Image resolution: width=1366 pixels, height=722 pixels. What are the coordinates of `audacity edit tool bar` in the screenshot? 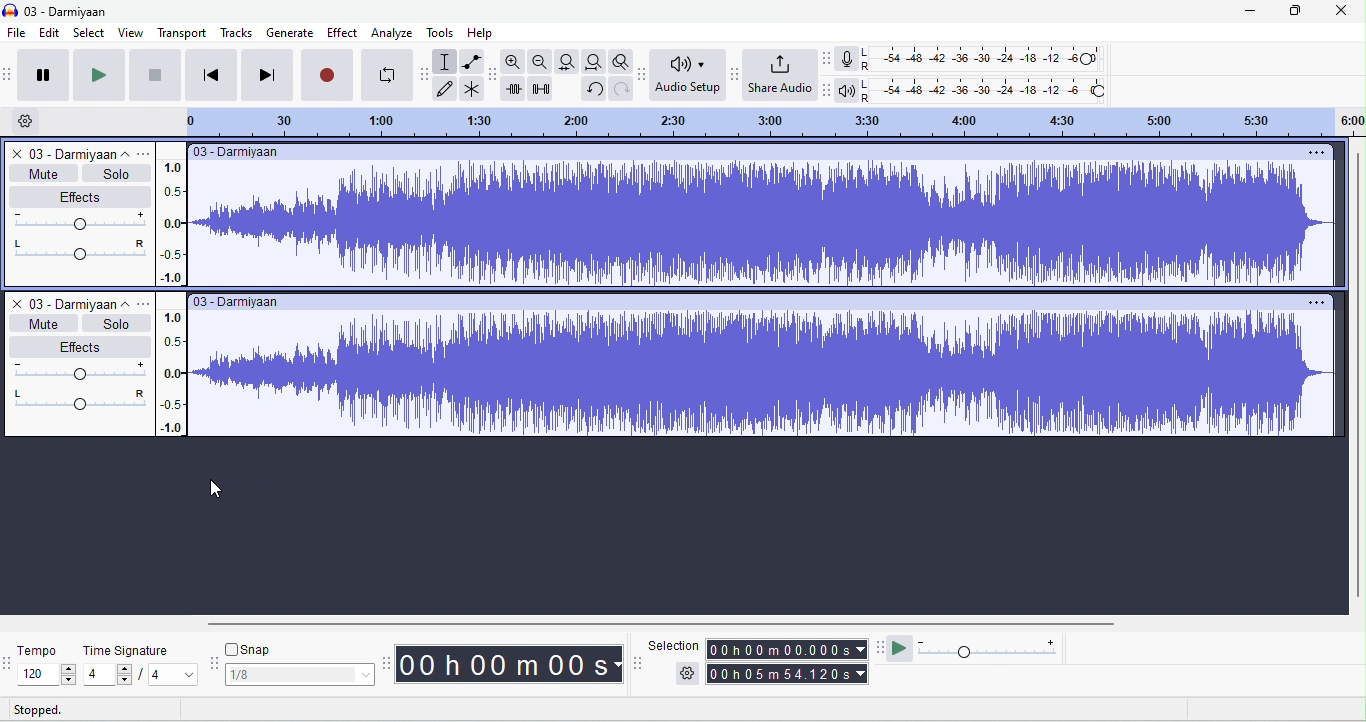 It's located at (495, 76).